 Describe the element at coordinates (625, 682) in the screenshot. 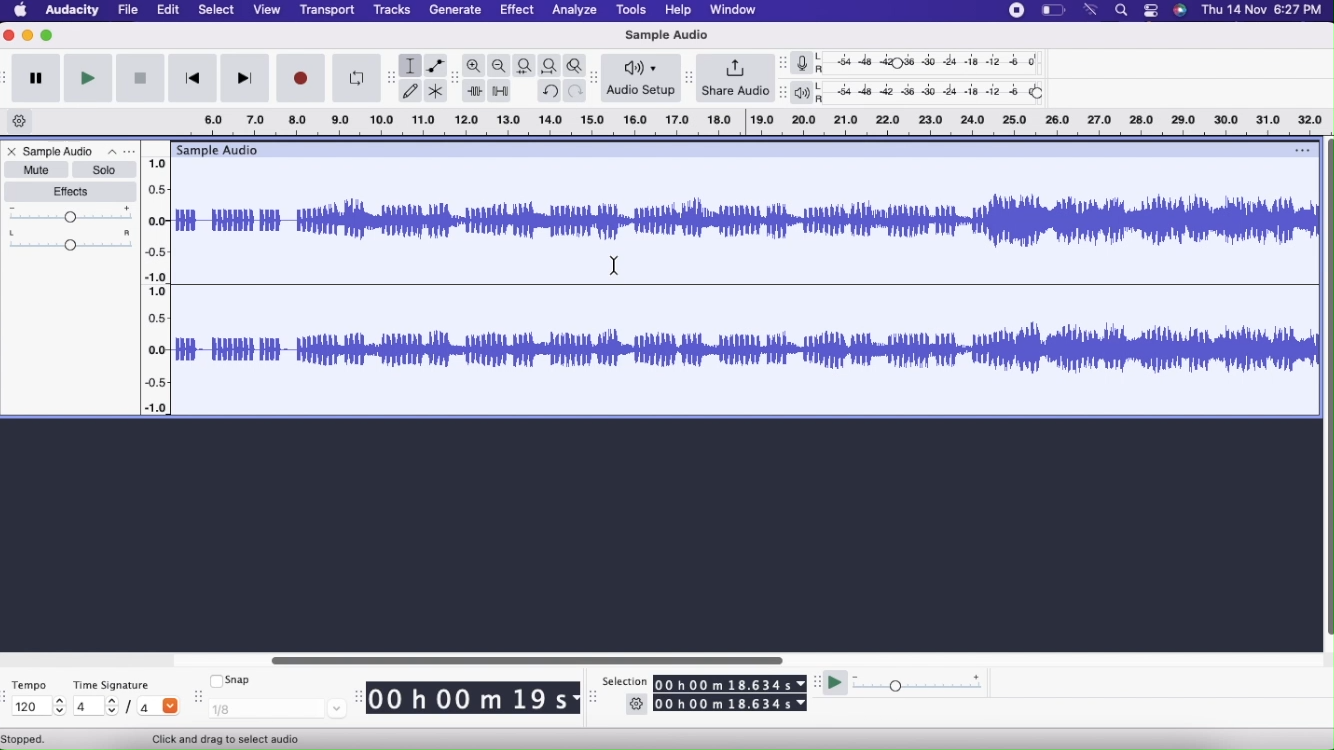

I see `Selection` at that location.